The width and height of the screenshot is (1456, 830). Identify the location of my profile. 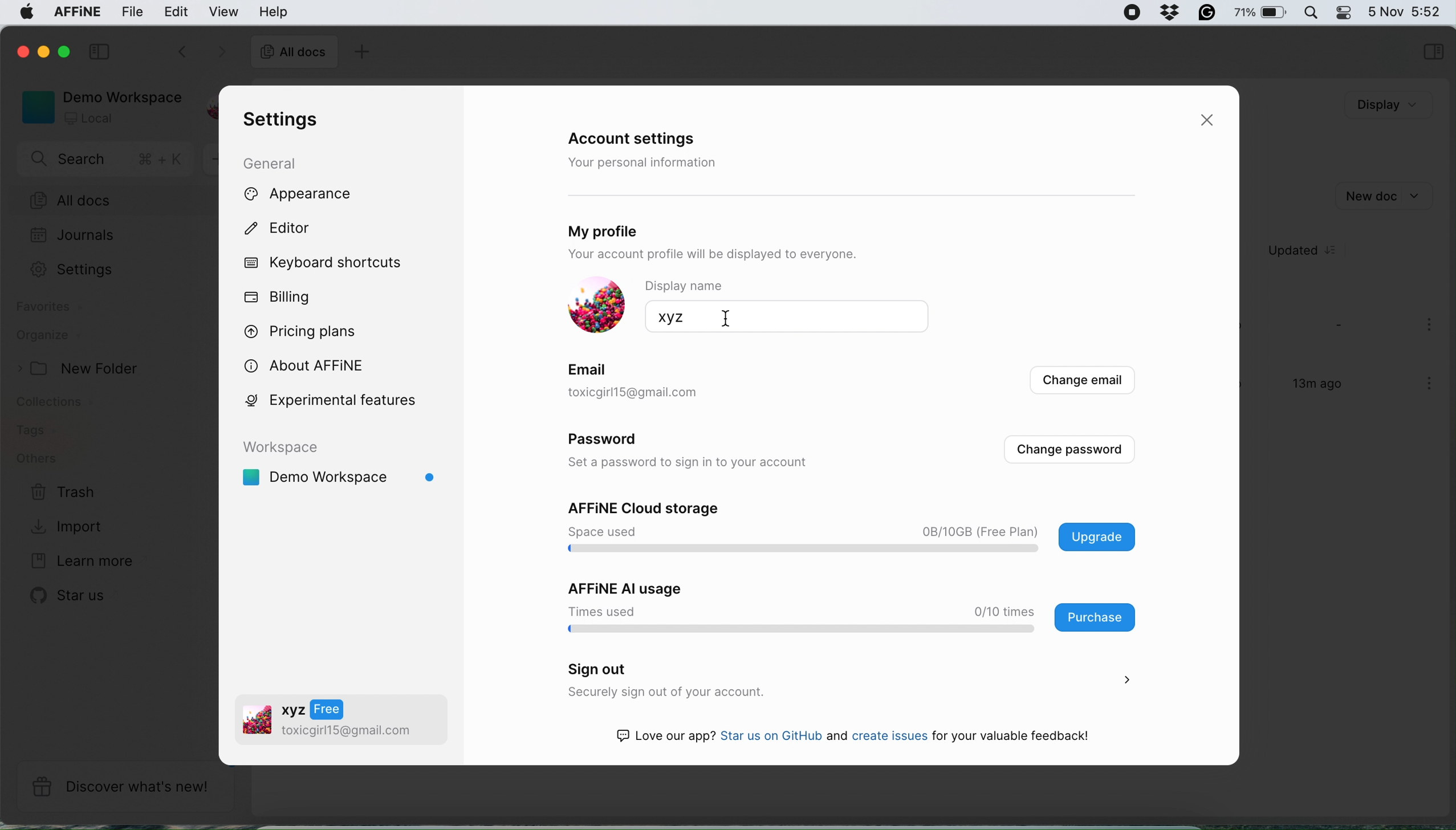
(639, 228).